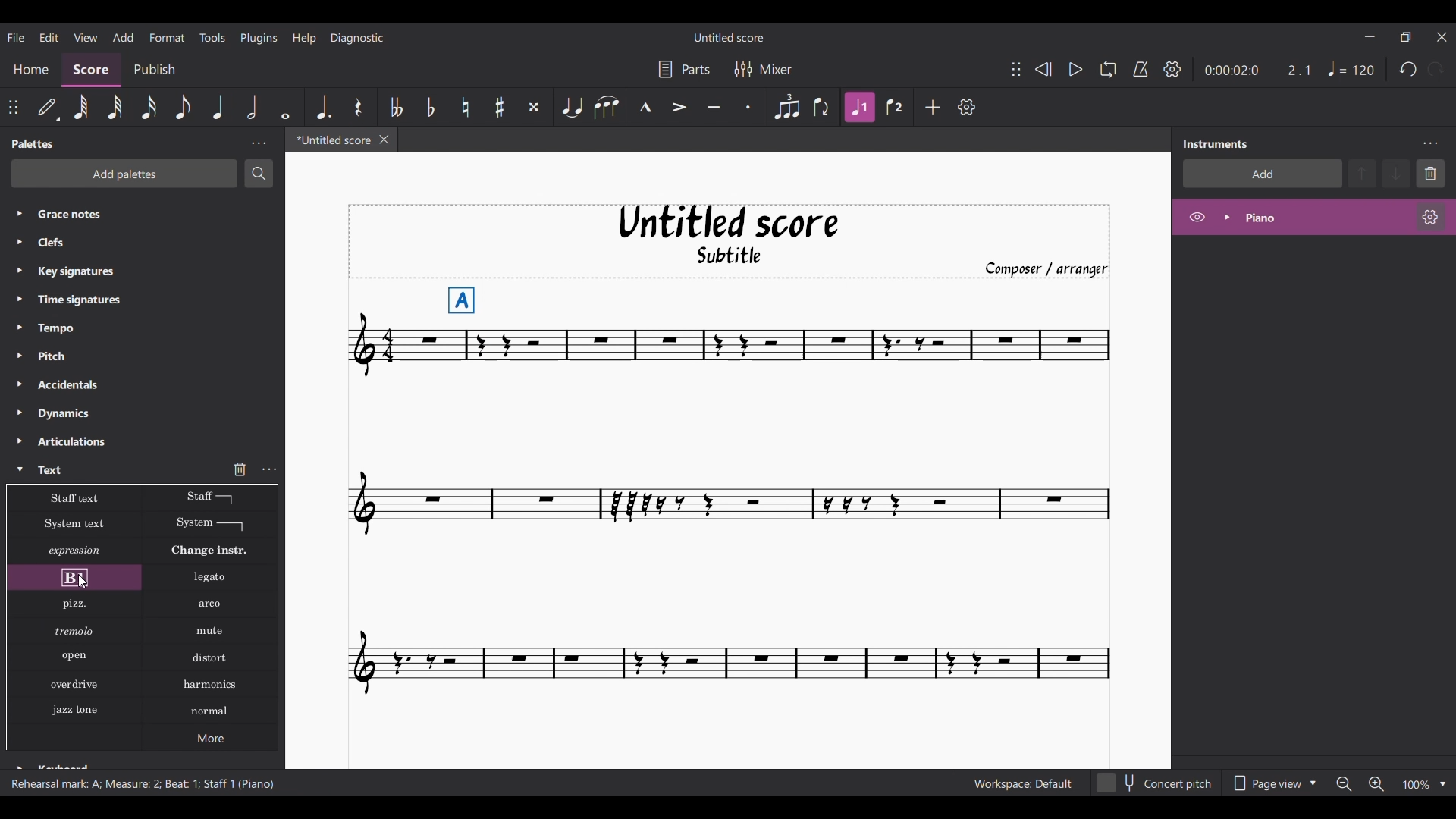  What do you see at coordinates (1155, 783) in the screenshot?
I see `Concert pitch toggle` at bounding box center [1155, 783].